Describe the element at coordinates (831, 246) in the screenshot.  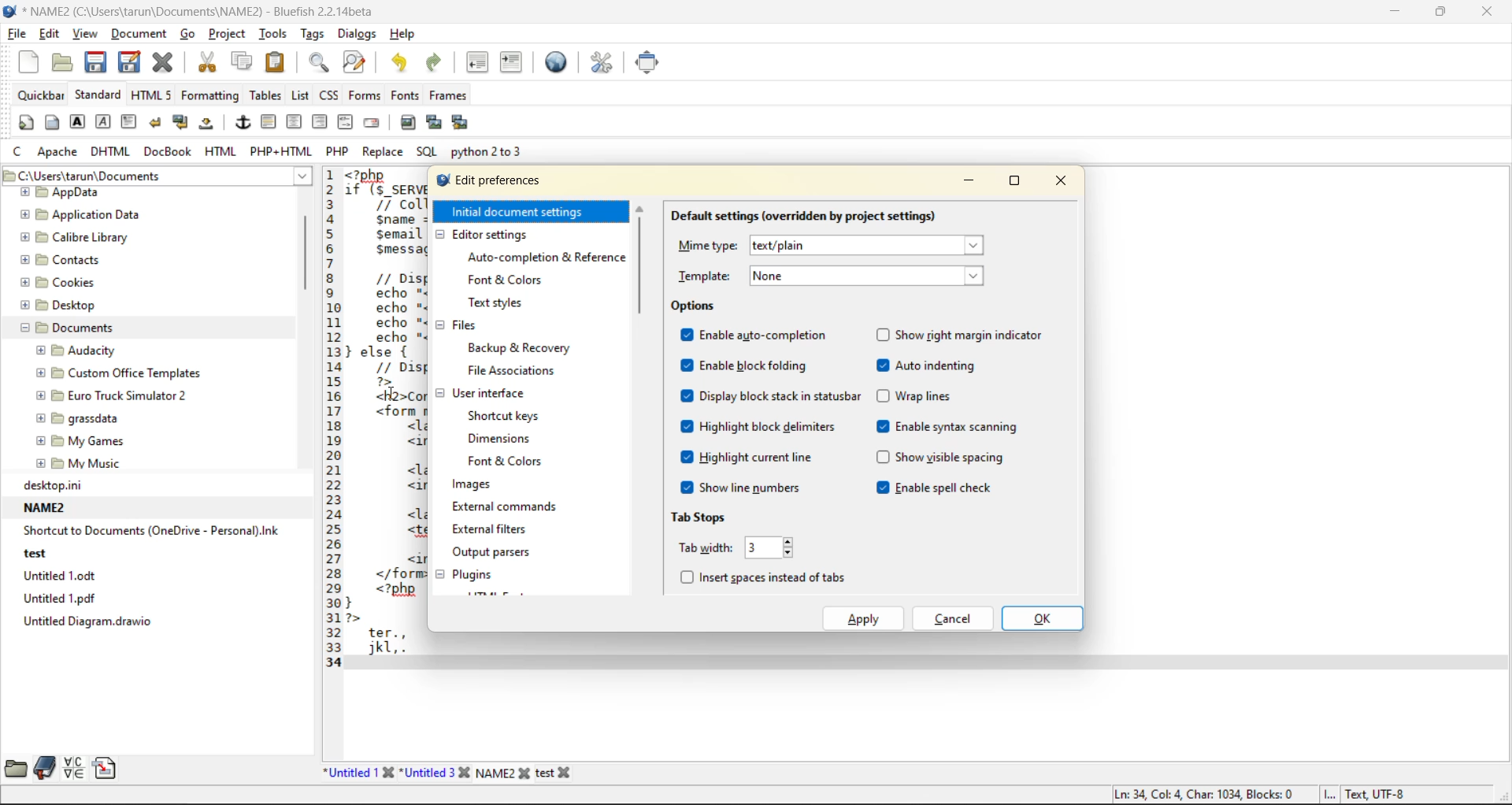
I see `mime type` at that location.